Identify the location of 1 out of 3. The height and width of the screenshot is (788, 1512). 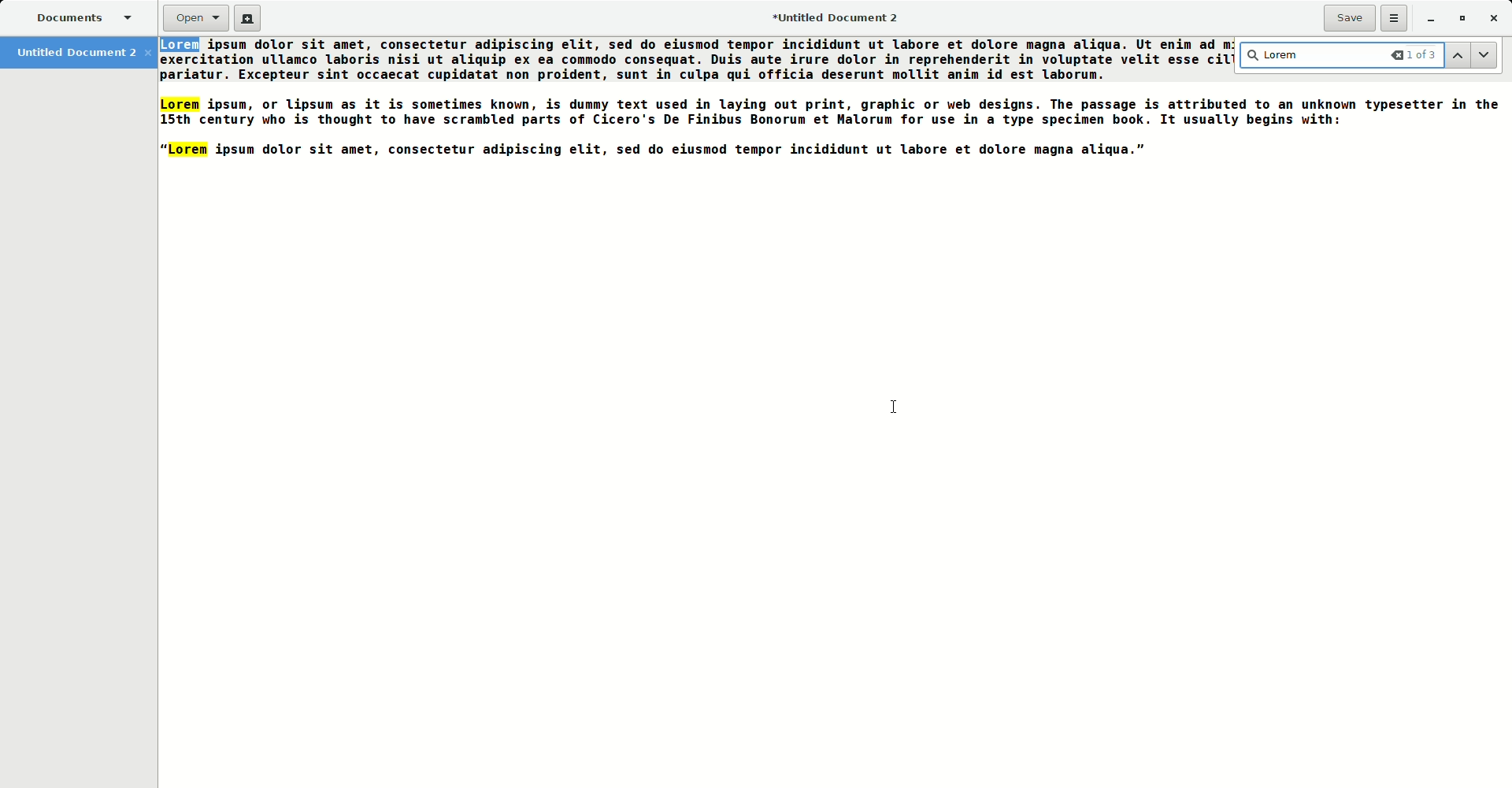
(1415, 54).